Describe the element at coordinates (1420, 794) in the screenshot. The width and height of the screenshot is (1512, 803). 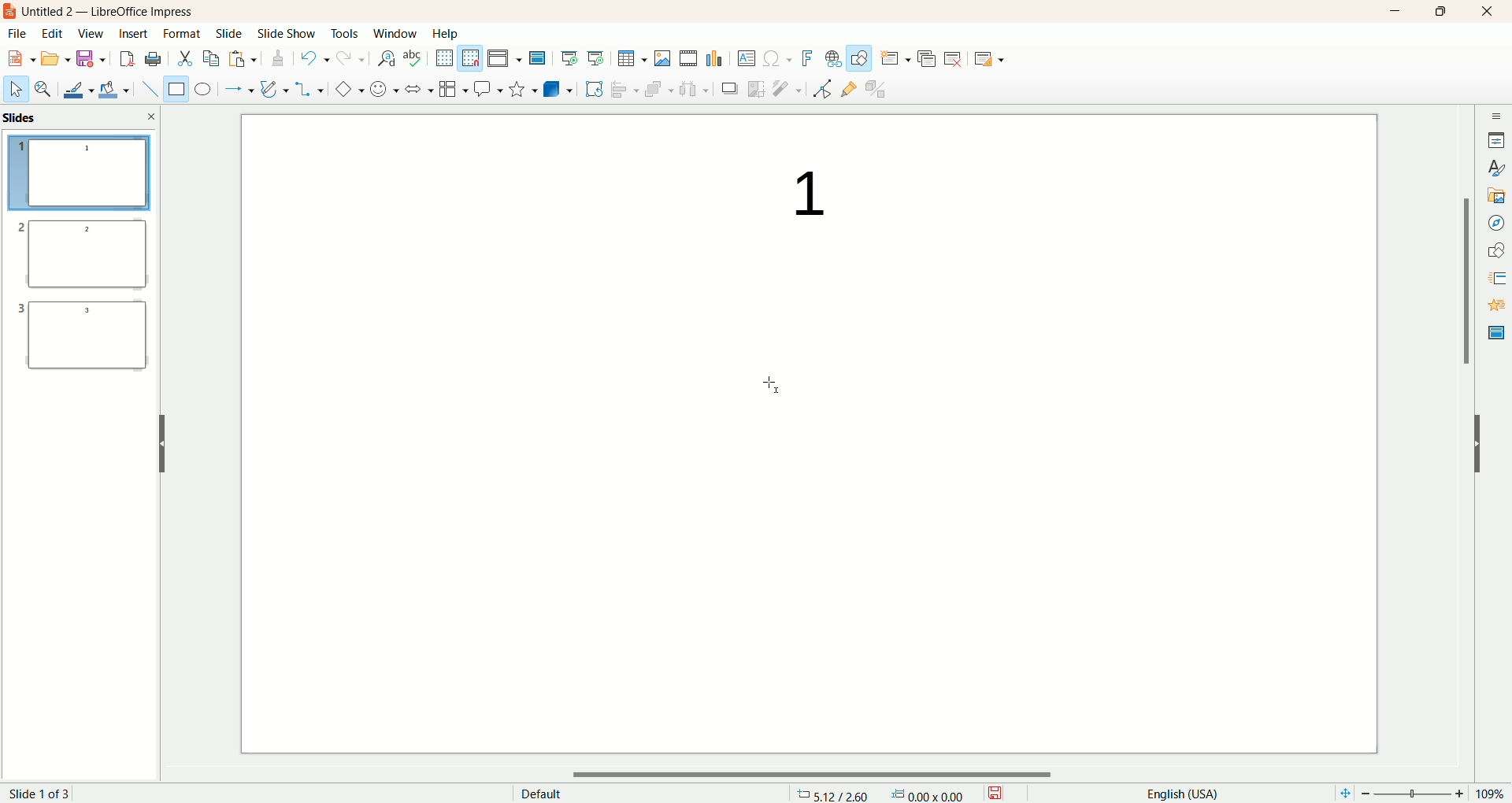
I see `zoom factor` at that location.